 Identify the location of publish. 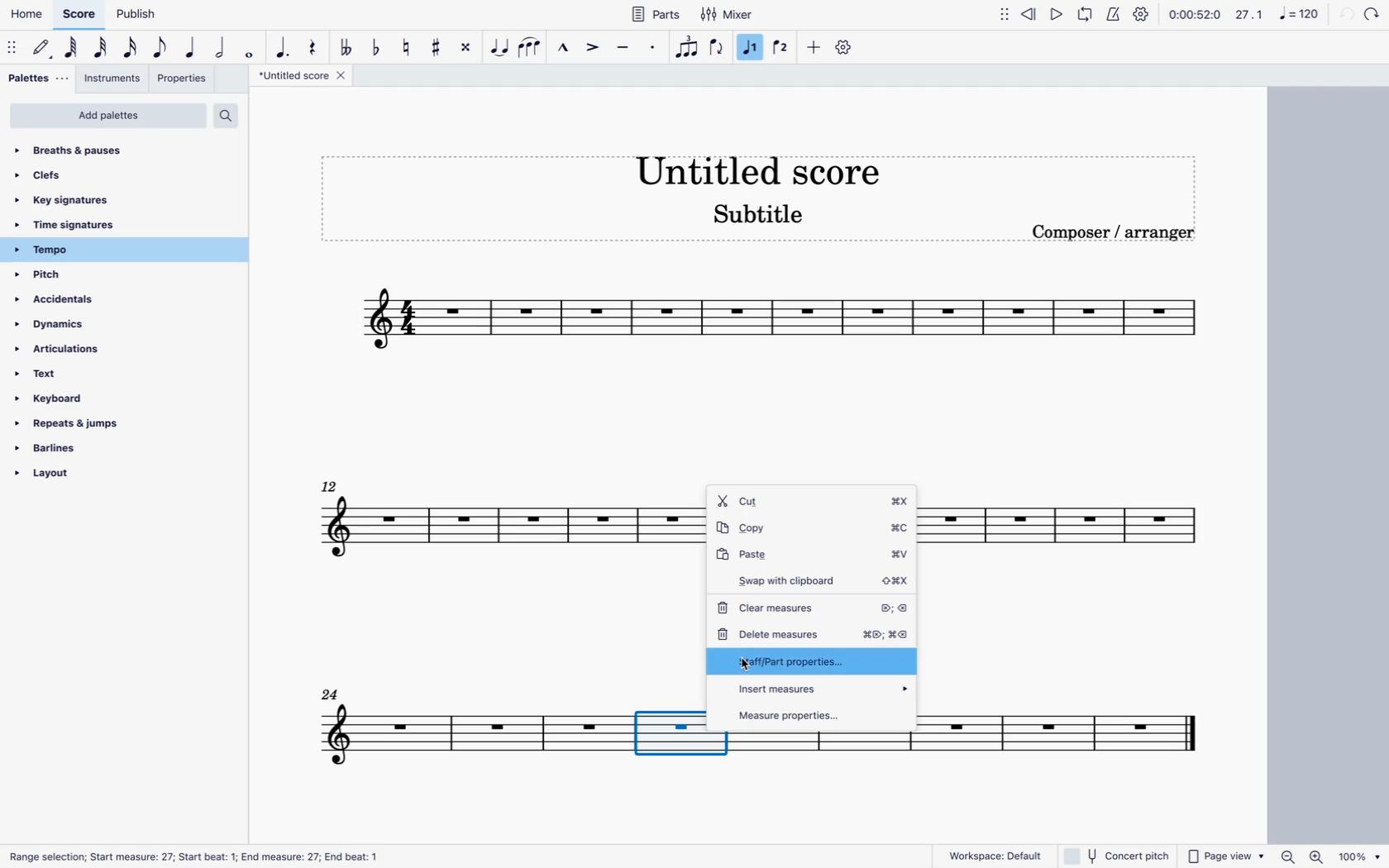
(135, 16).